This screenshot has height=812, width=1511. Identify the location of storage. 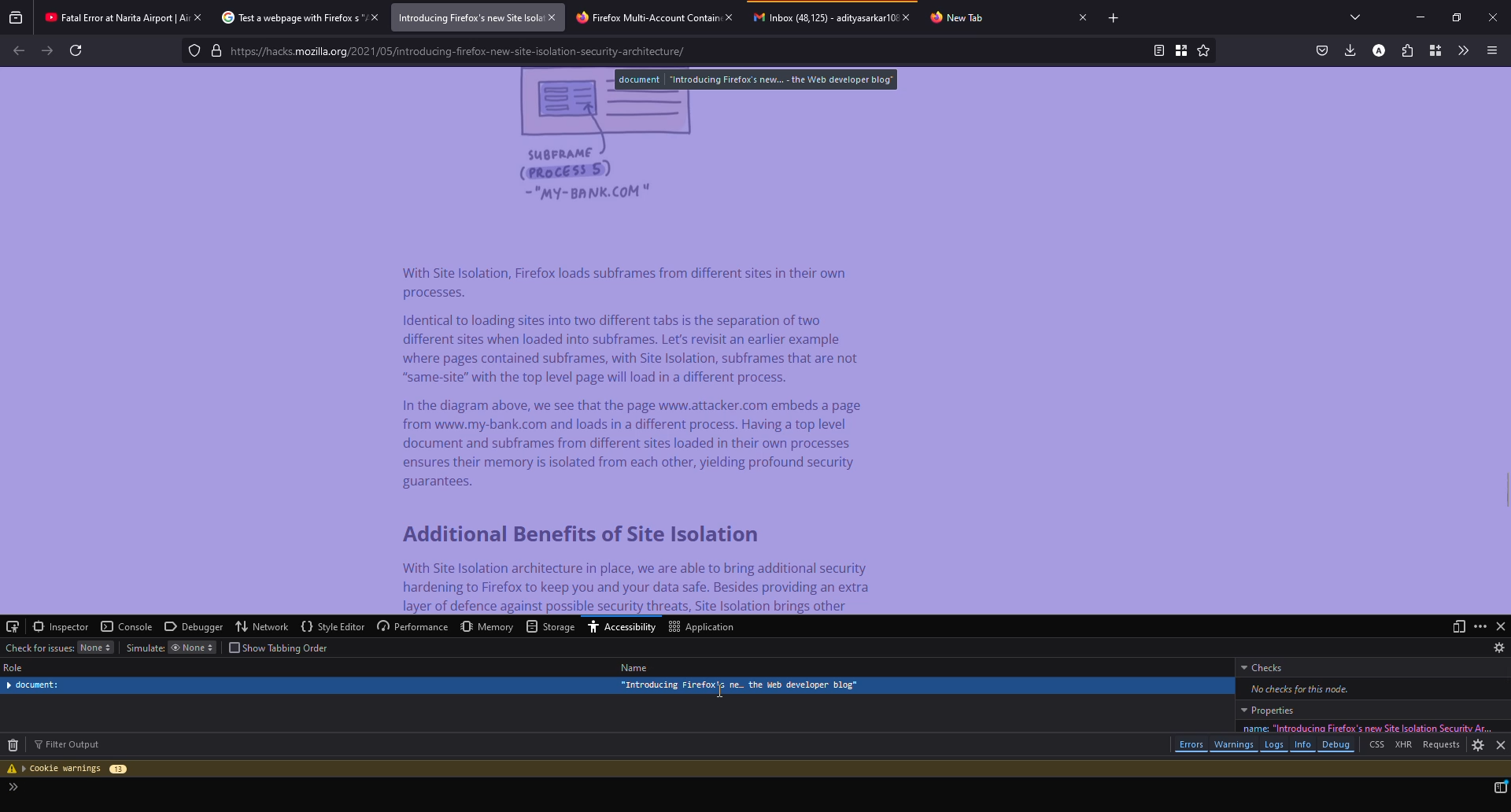
(552, 627).